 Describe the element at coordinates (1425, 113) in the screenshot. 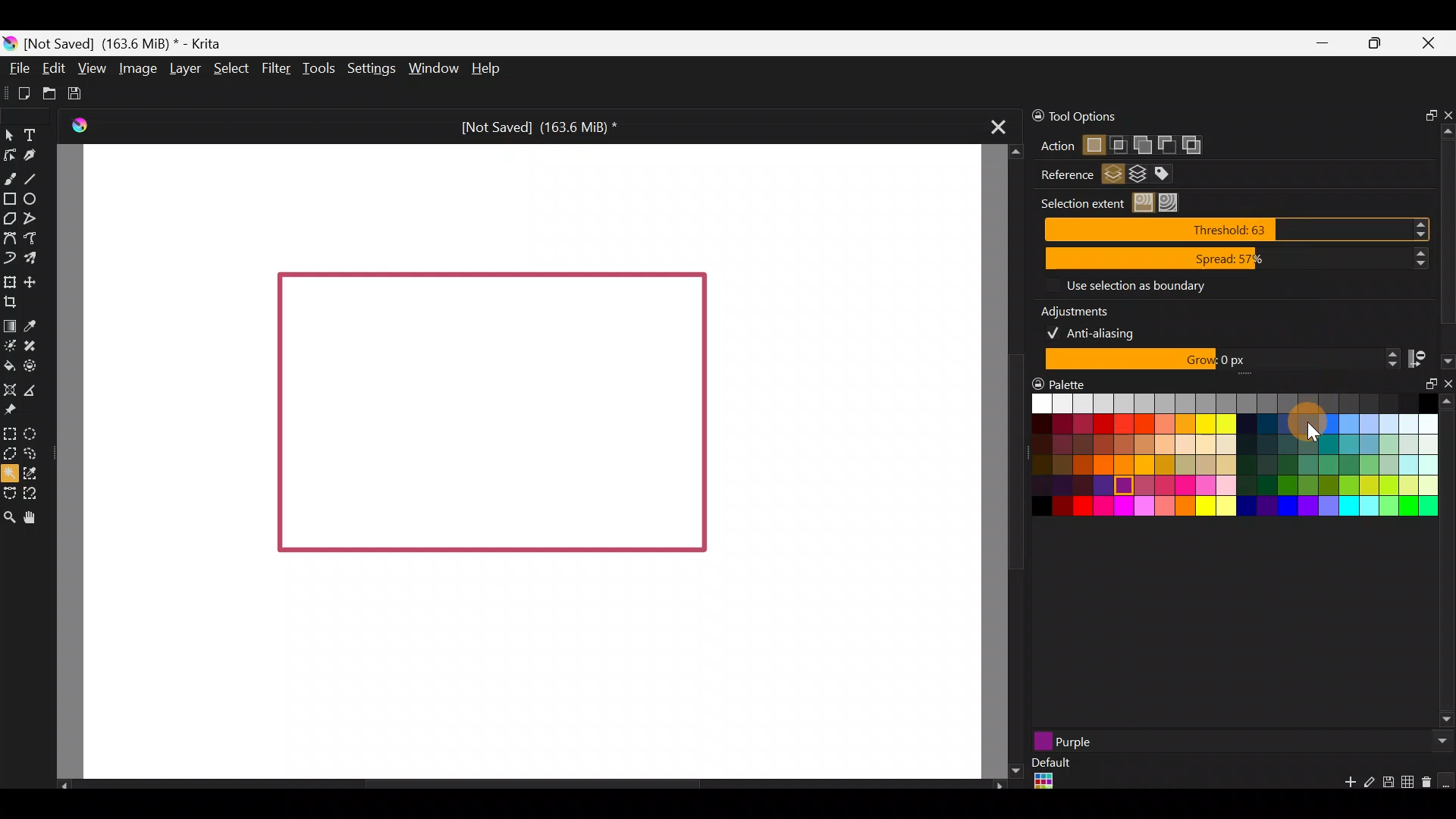

I see `Float docker` at that location.